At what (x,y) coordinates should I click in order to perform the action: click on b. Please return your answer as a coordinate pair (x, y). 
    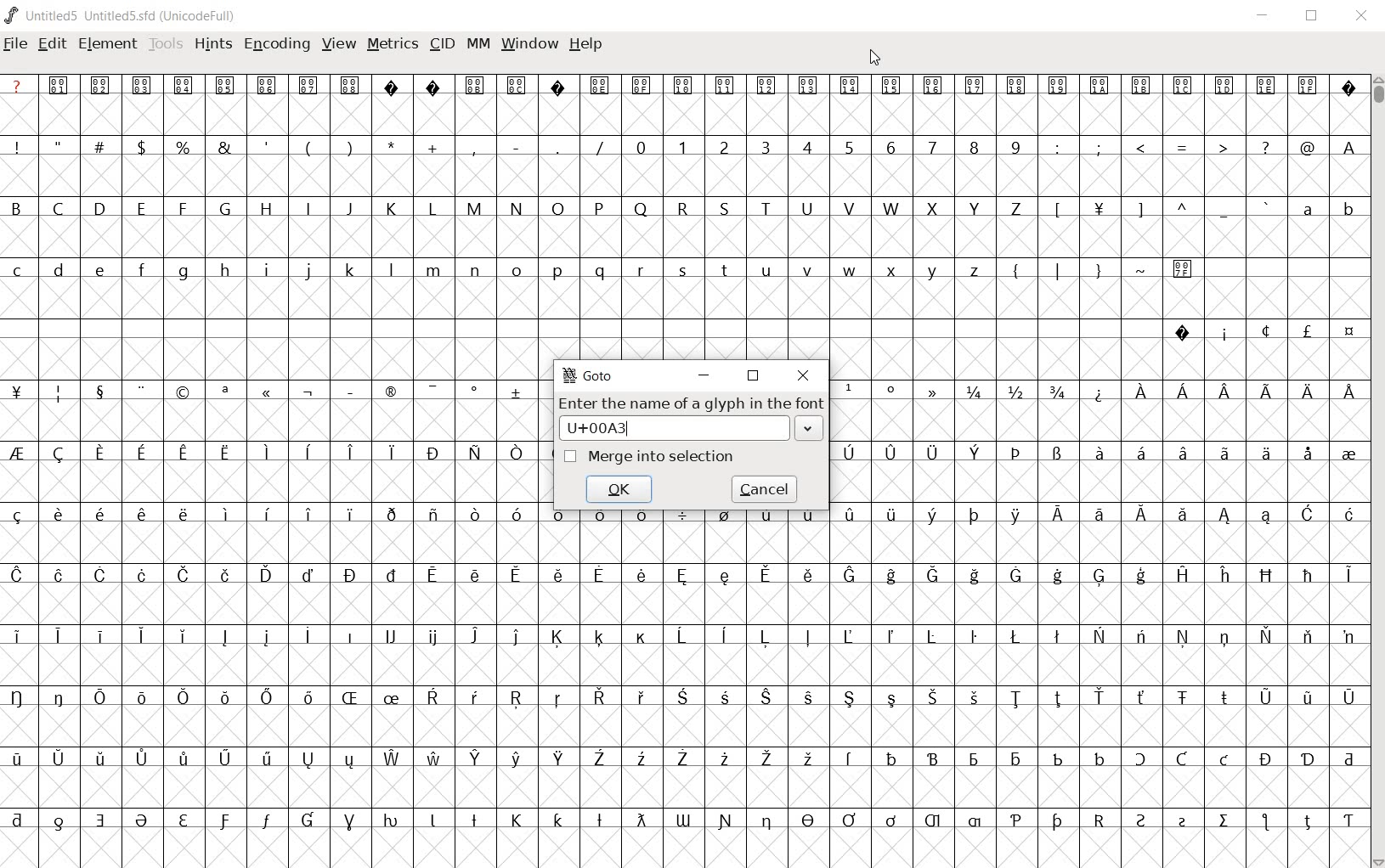
    Looking at the image, I should click on (1347, 208).